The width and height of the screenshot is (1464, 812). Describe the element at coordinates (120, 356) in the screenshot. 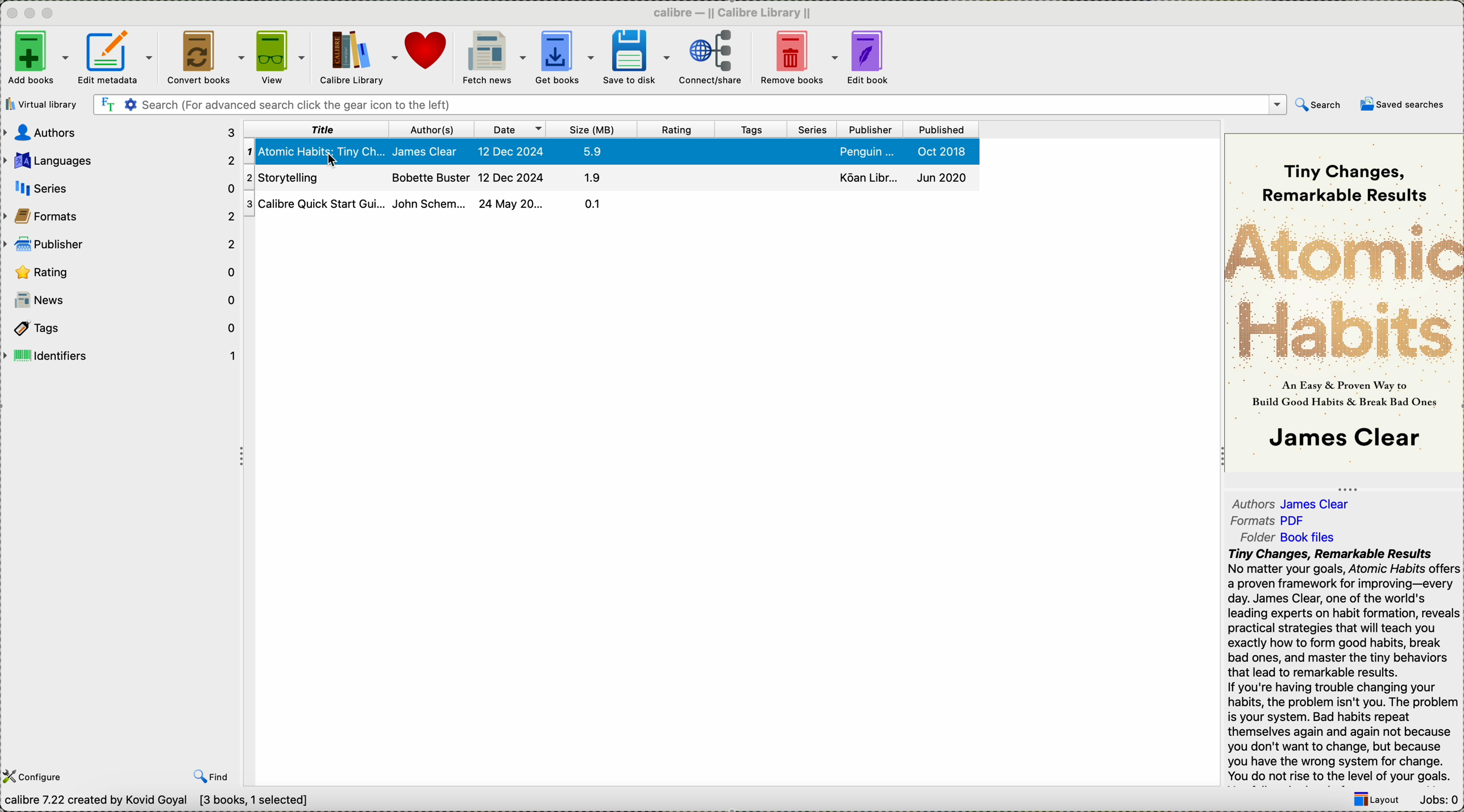

I see `identifiers` at that location.